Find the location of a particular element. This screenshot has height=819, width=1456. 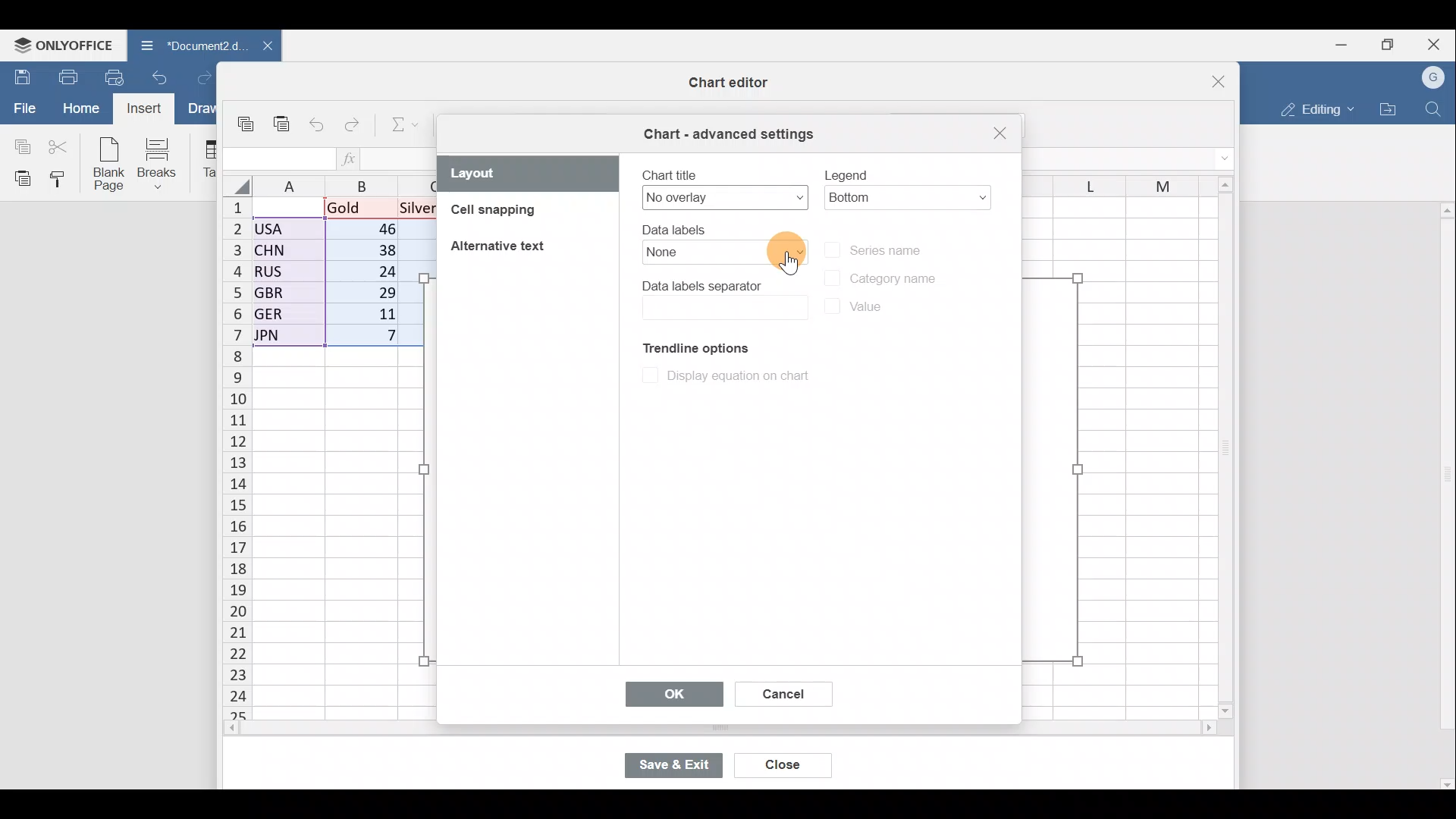

Close is located at coordinates (1438, 43).